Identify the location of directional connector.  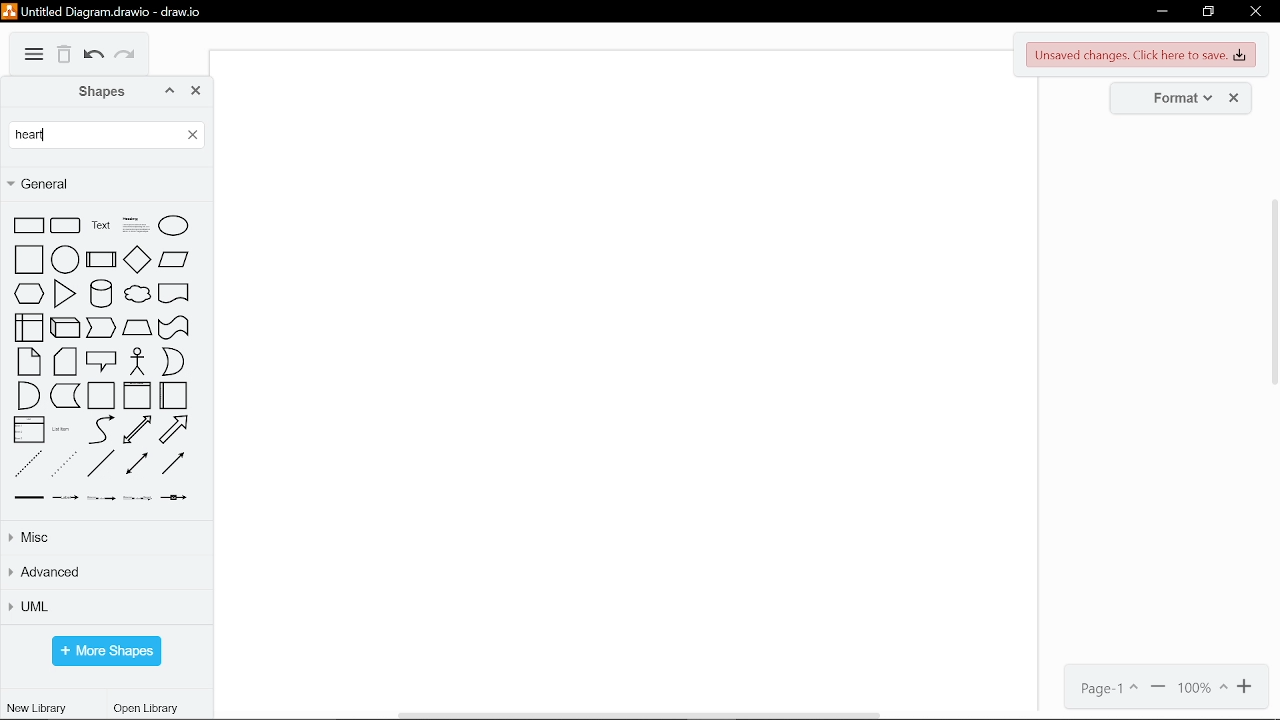
(174, 465).